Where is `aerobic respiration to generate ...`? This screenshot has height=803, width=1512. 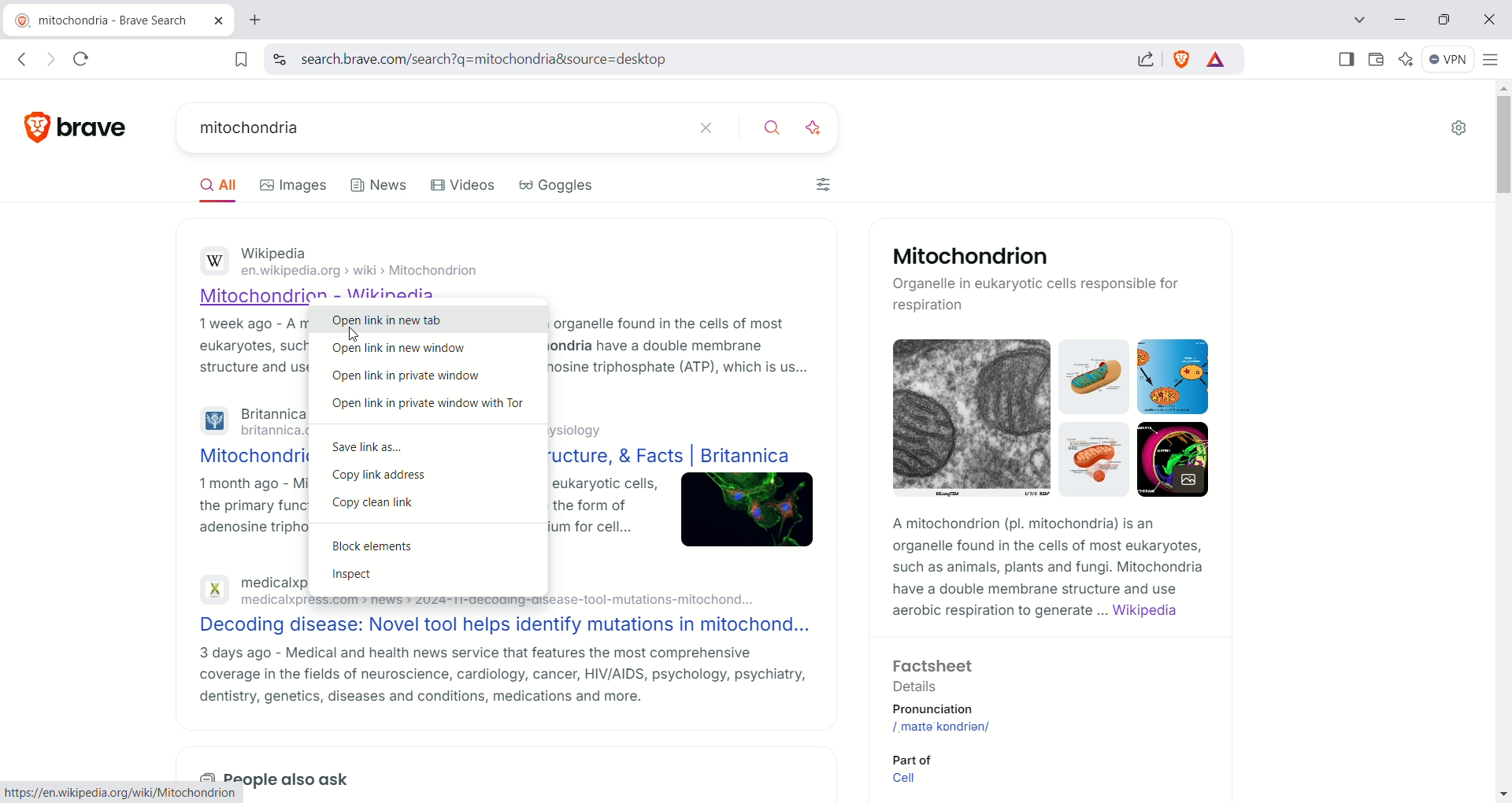
aerobic respiration to generate ... is located at coordinates (995, 612).